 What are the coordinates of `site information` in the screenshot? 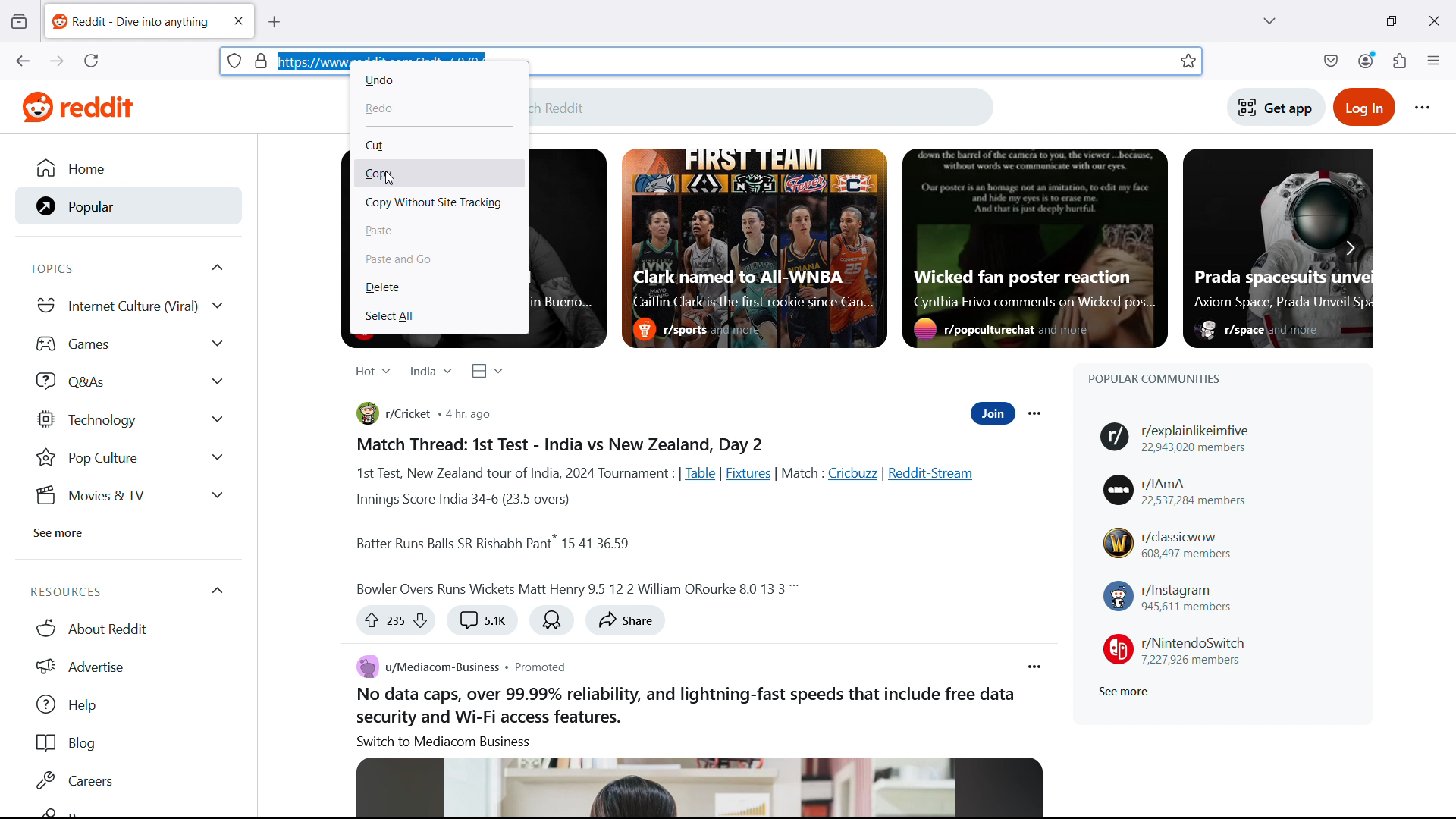 It's located at (235, 60).